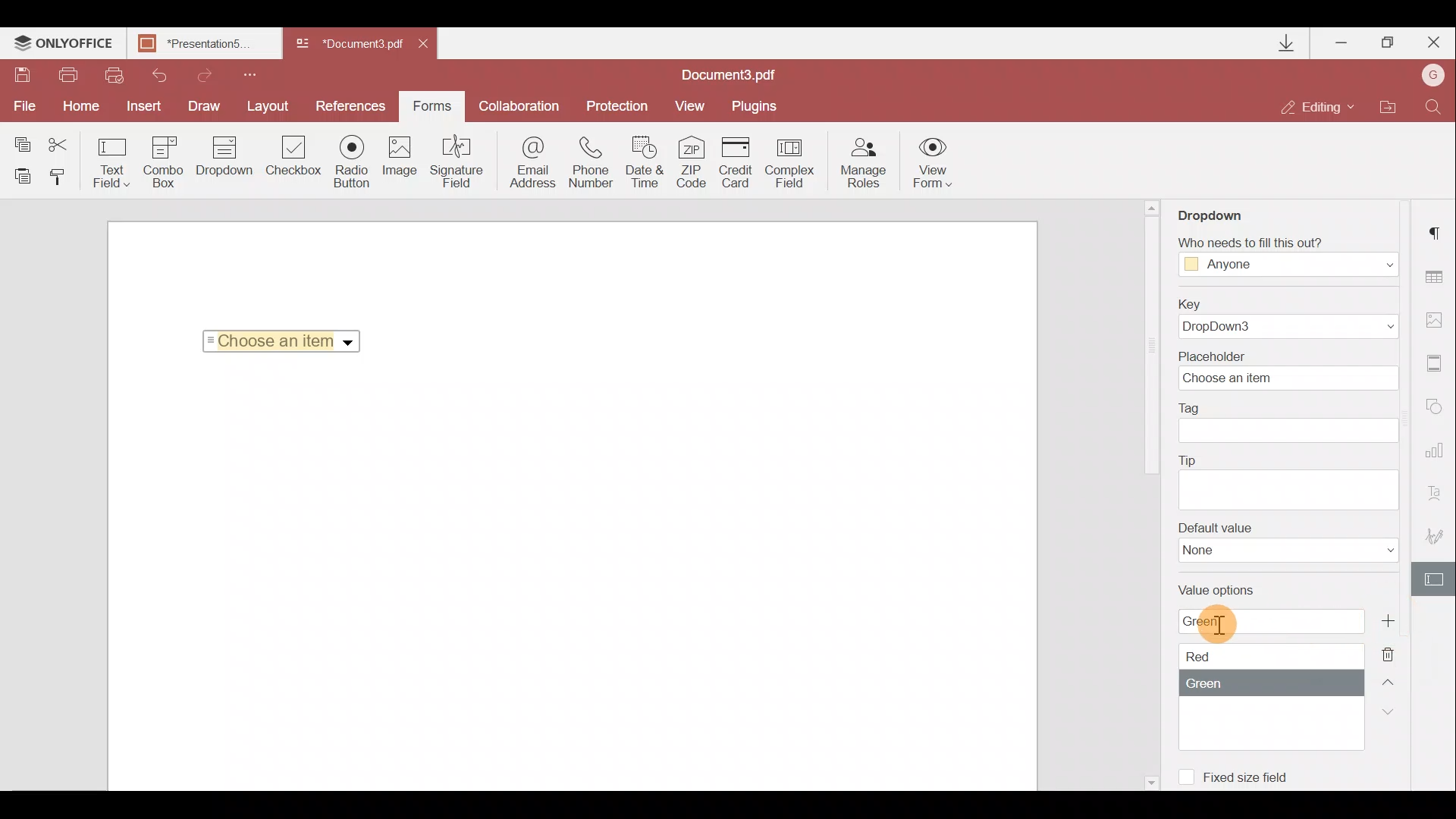  I want to click on Maximize, so click(1387, 45).